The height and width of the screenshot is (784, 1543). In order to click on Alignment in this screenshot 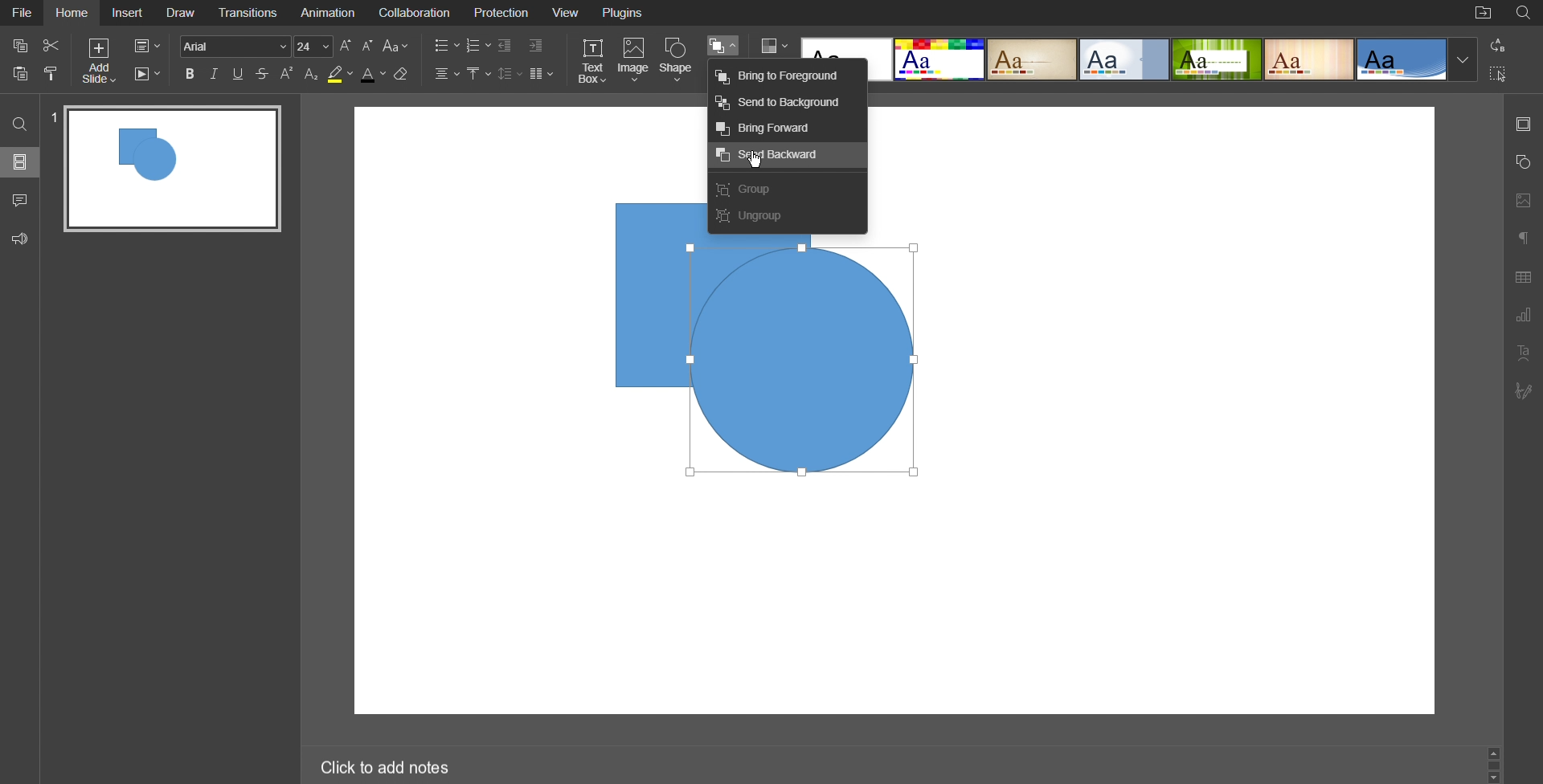, I will do `click(445, 73)`.